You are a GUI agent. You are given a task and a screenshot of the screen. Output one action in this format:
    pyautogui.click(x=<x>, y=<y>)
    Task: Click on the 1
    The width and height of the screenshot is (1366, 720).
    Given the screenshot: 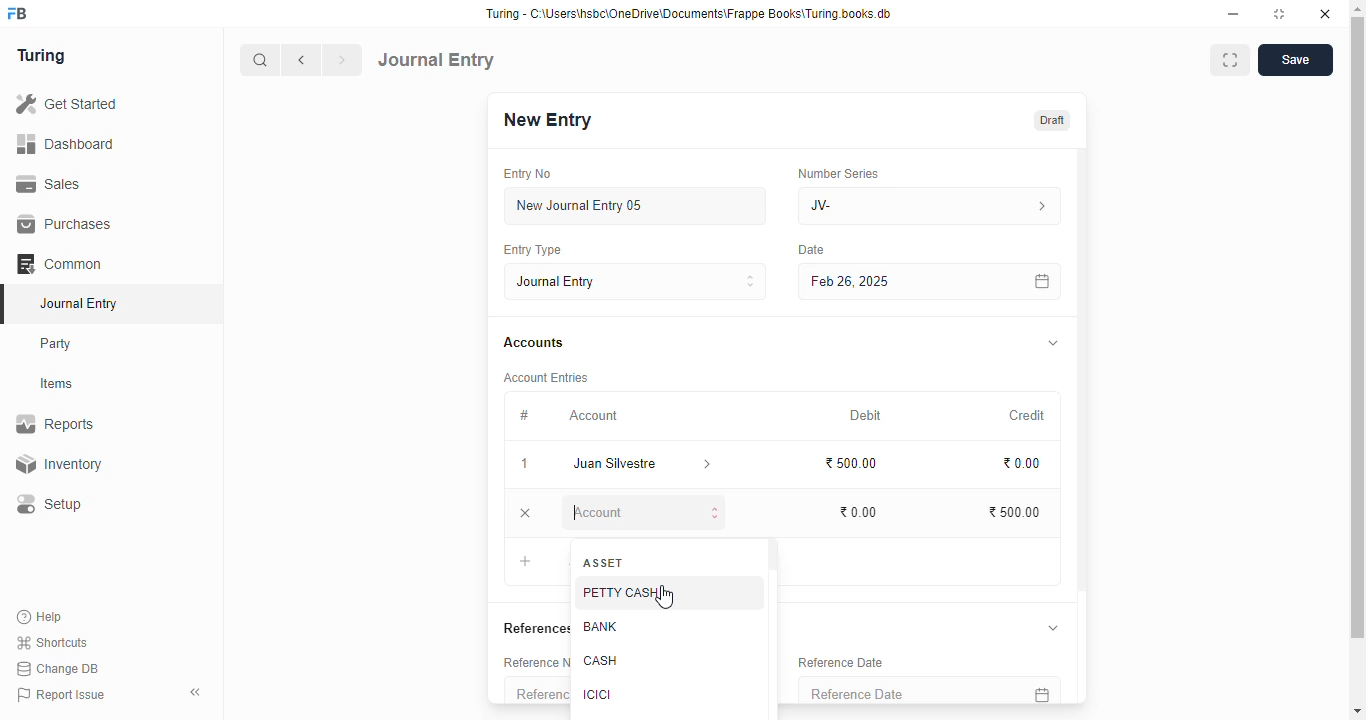 What is the action you would take?
    pyautogui.click(x=525, y=466)
    